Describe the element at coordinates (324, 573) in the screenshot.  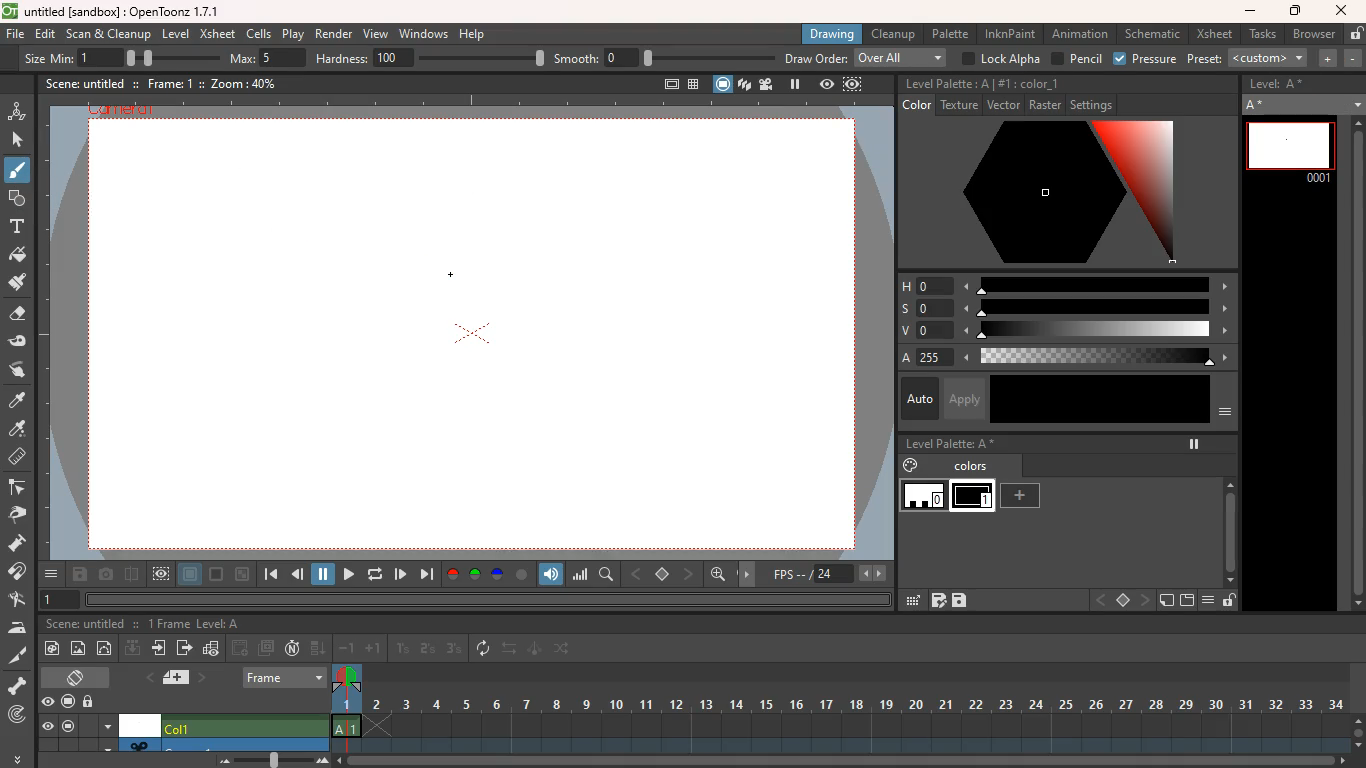
I see `pause` at that location.